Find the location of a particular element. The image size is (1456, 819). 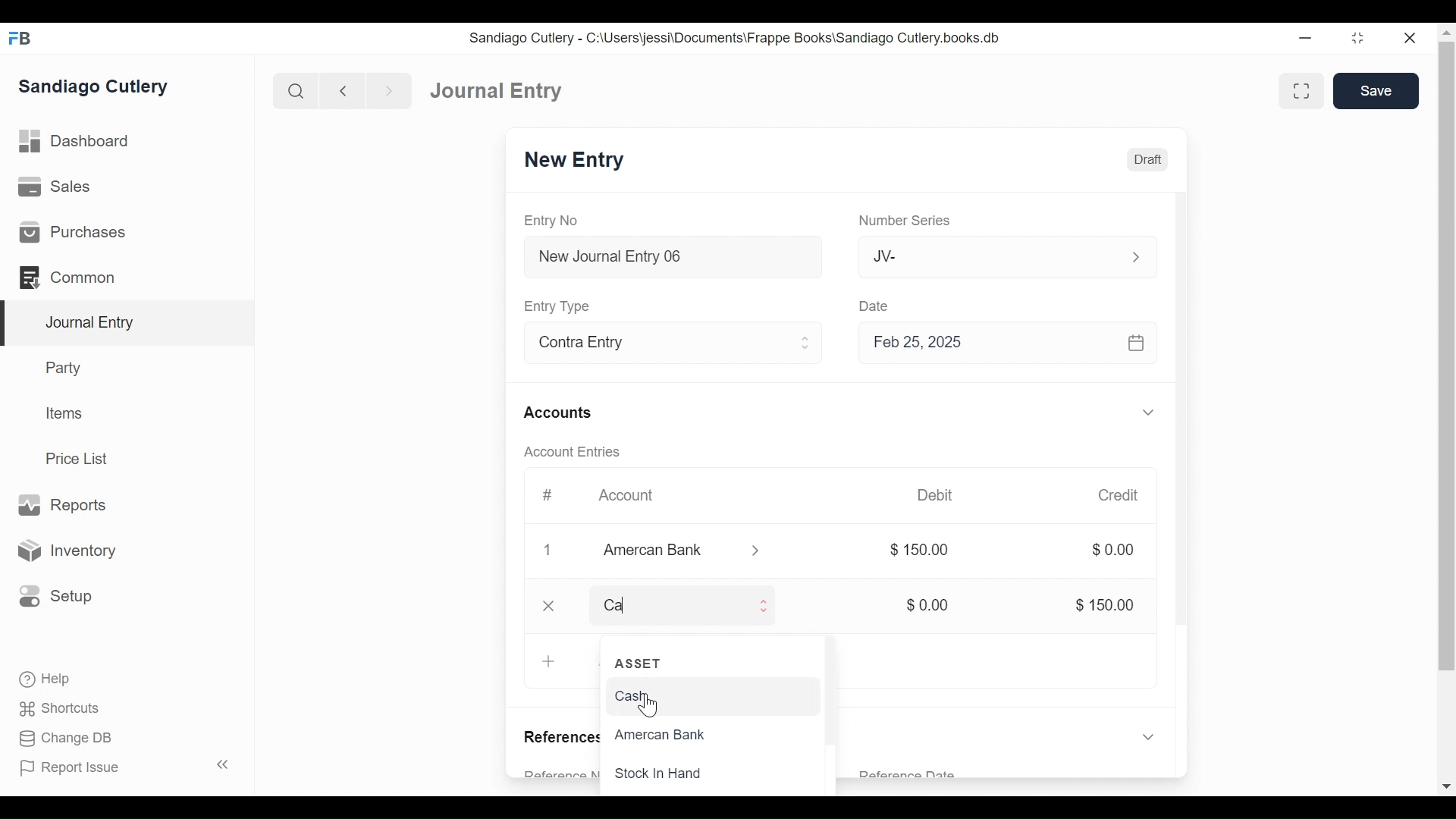

ASSET is located at coordinates (639, 661).